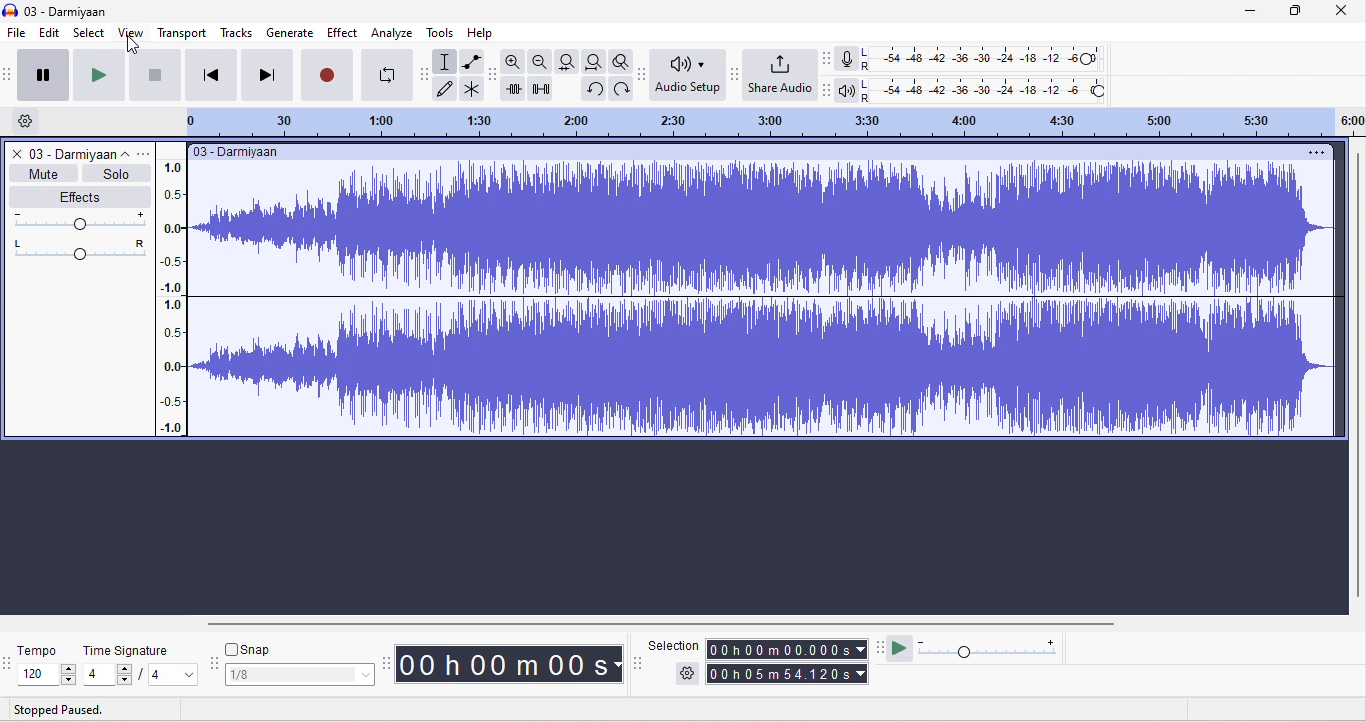  I want to click on playback speed, so click(988, 647).